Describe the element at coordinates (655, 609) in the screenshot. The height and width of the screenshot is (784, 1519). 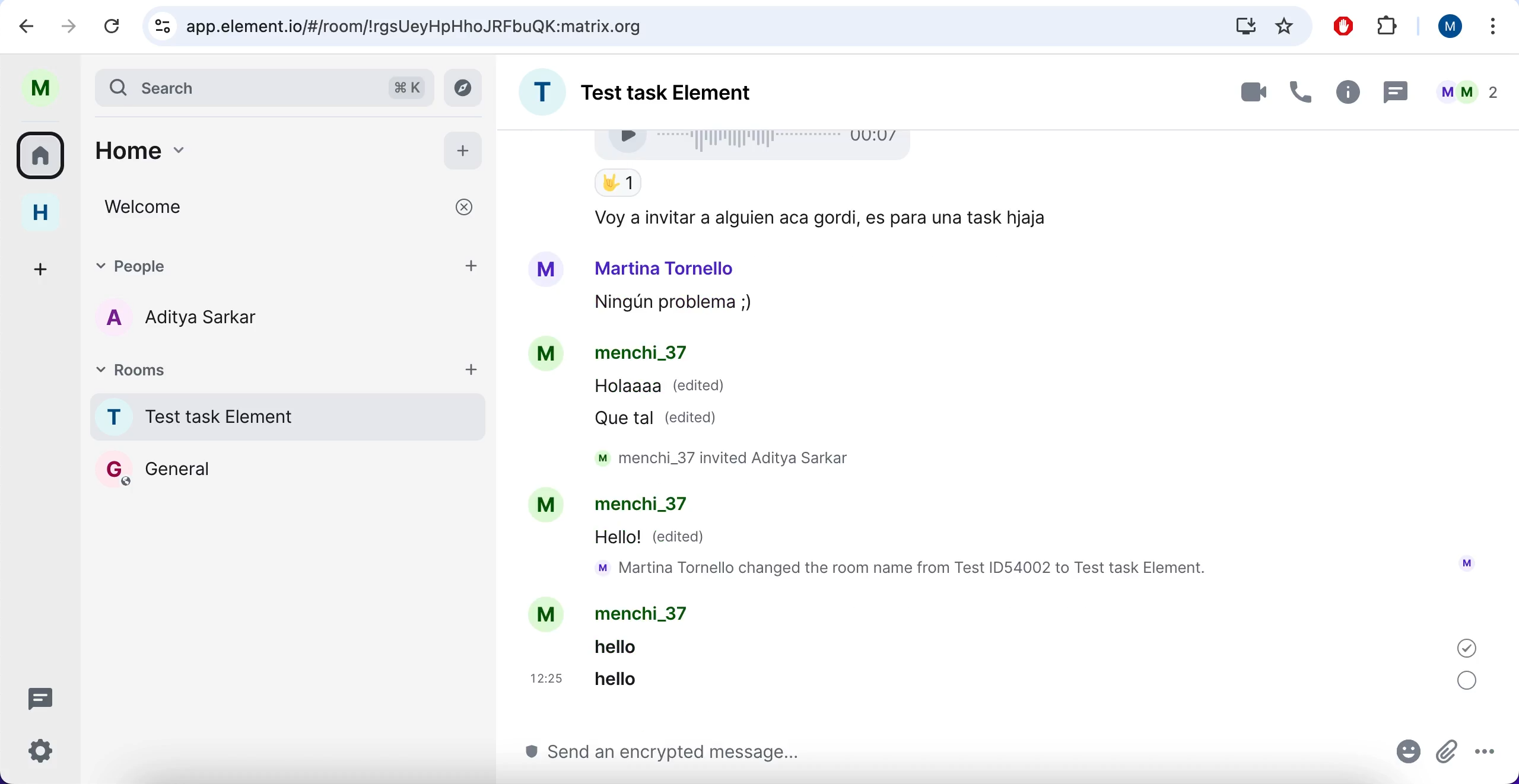
I see `menchi_37` at that location.